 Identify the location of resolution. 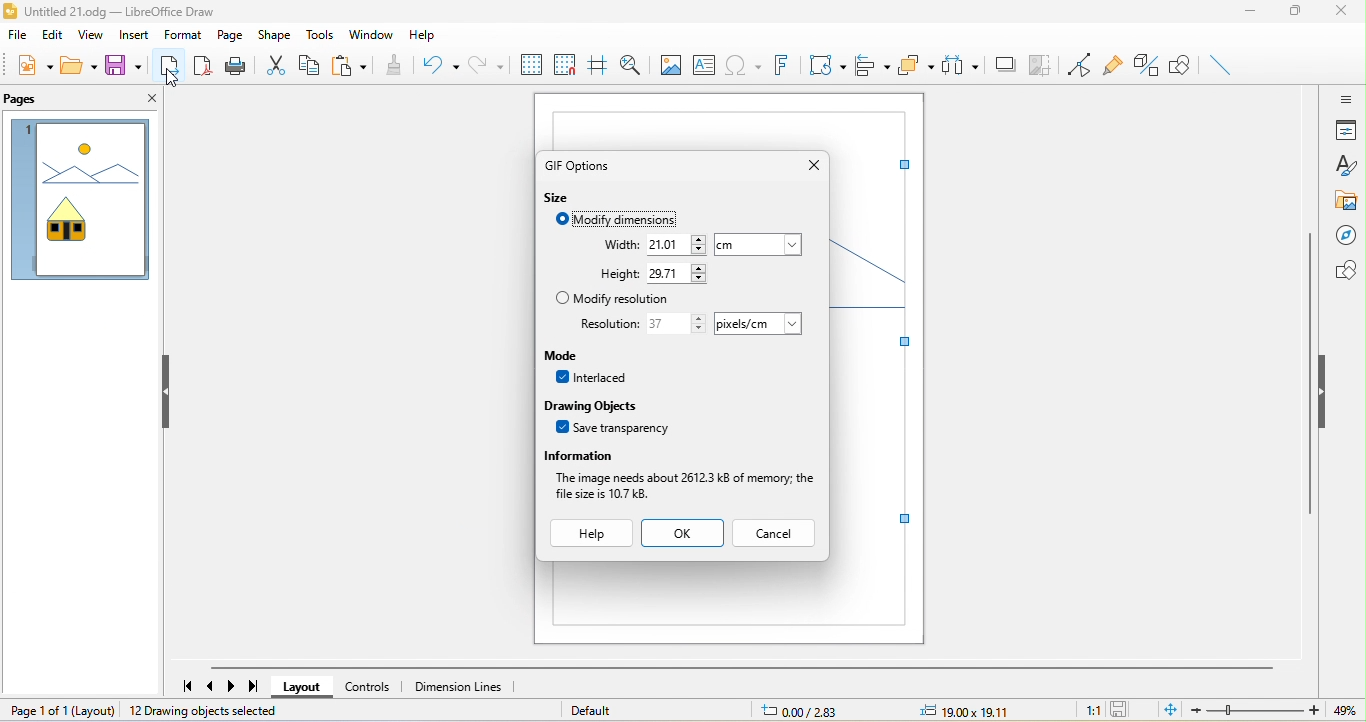
(606, 326).